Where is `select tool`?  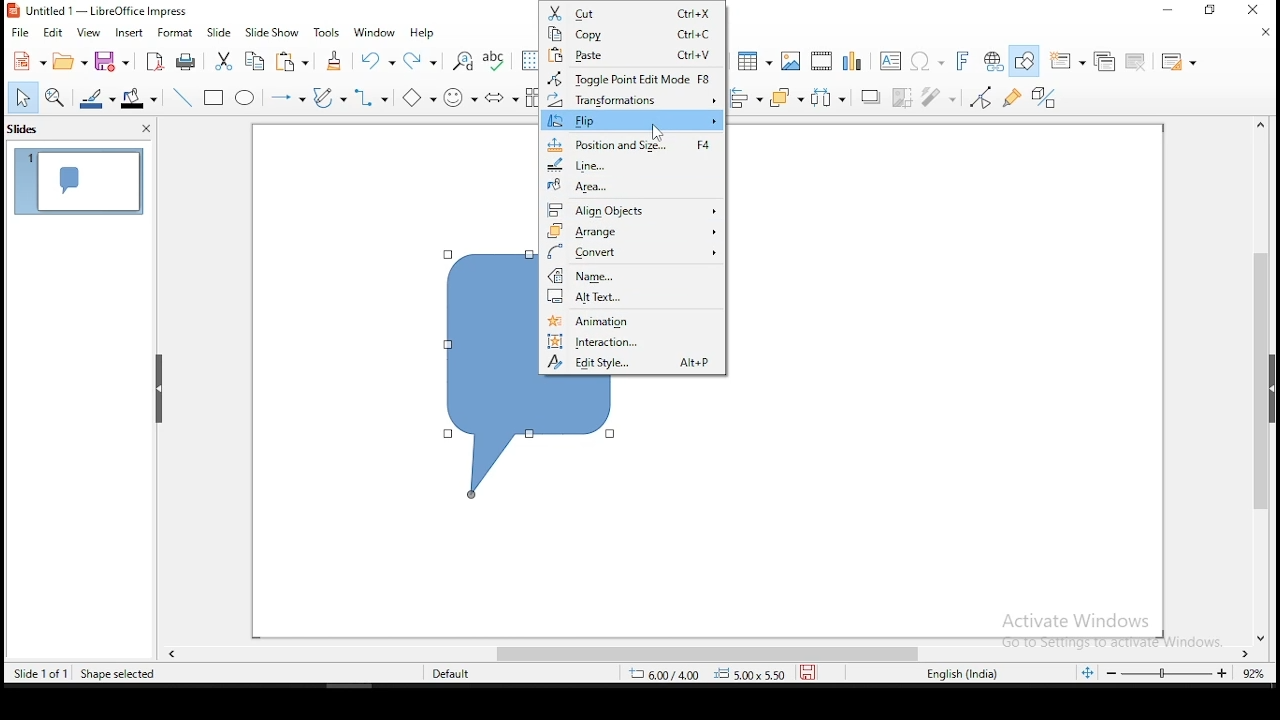 select tool is located at coordinates (24, 97).